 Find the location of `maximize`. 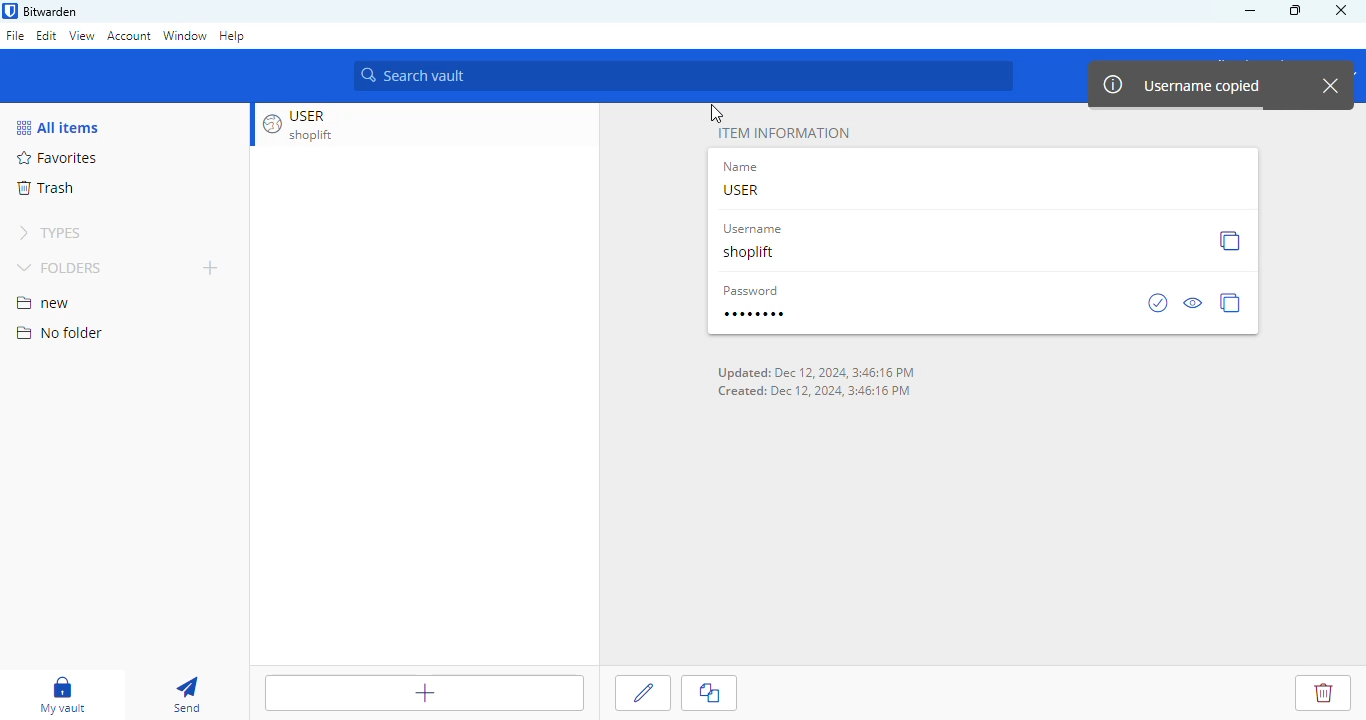

maximize is located at coordinates (1296, 9).